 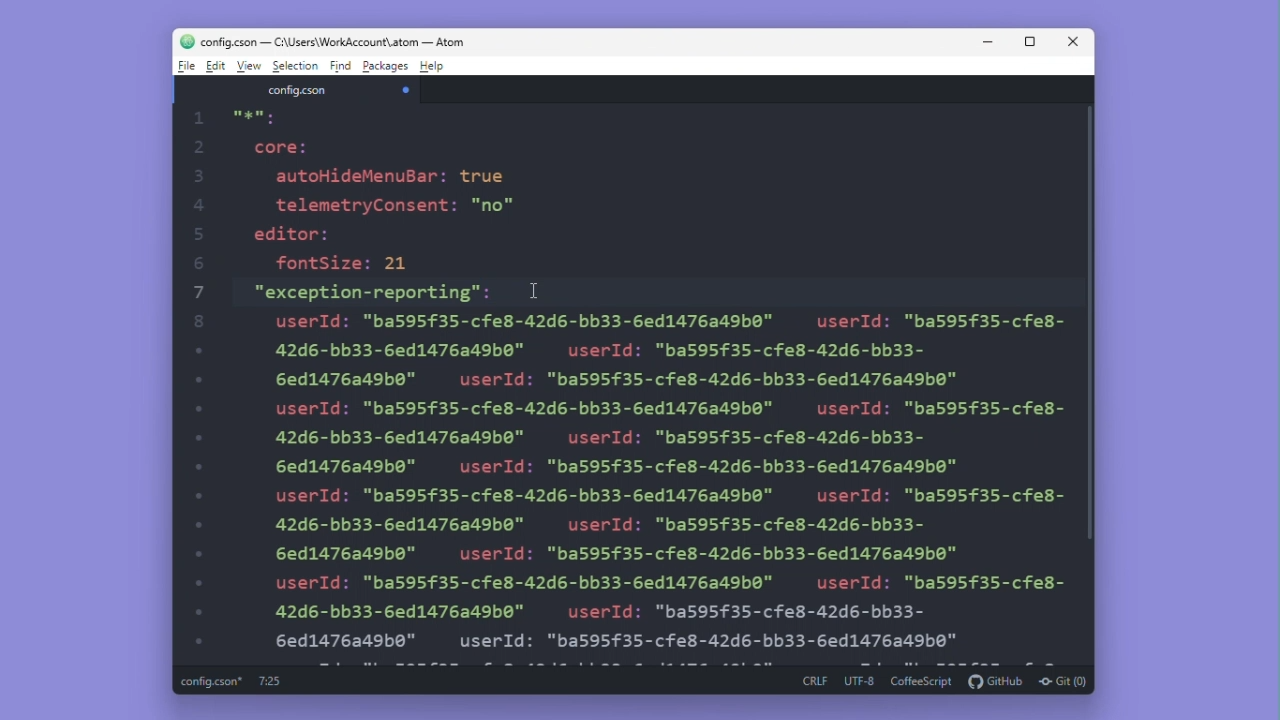 I want to click on View, so click(x=250, y=66).